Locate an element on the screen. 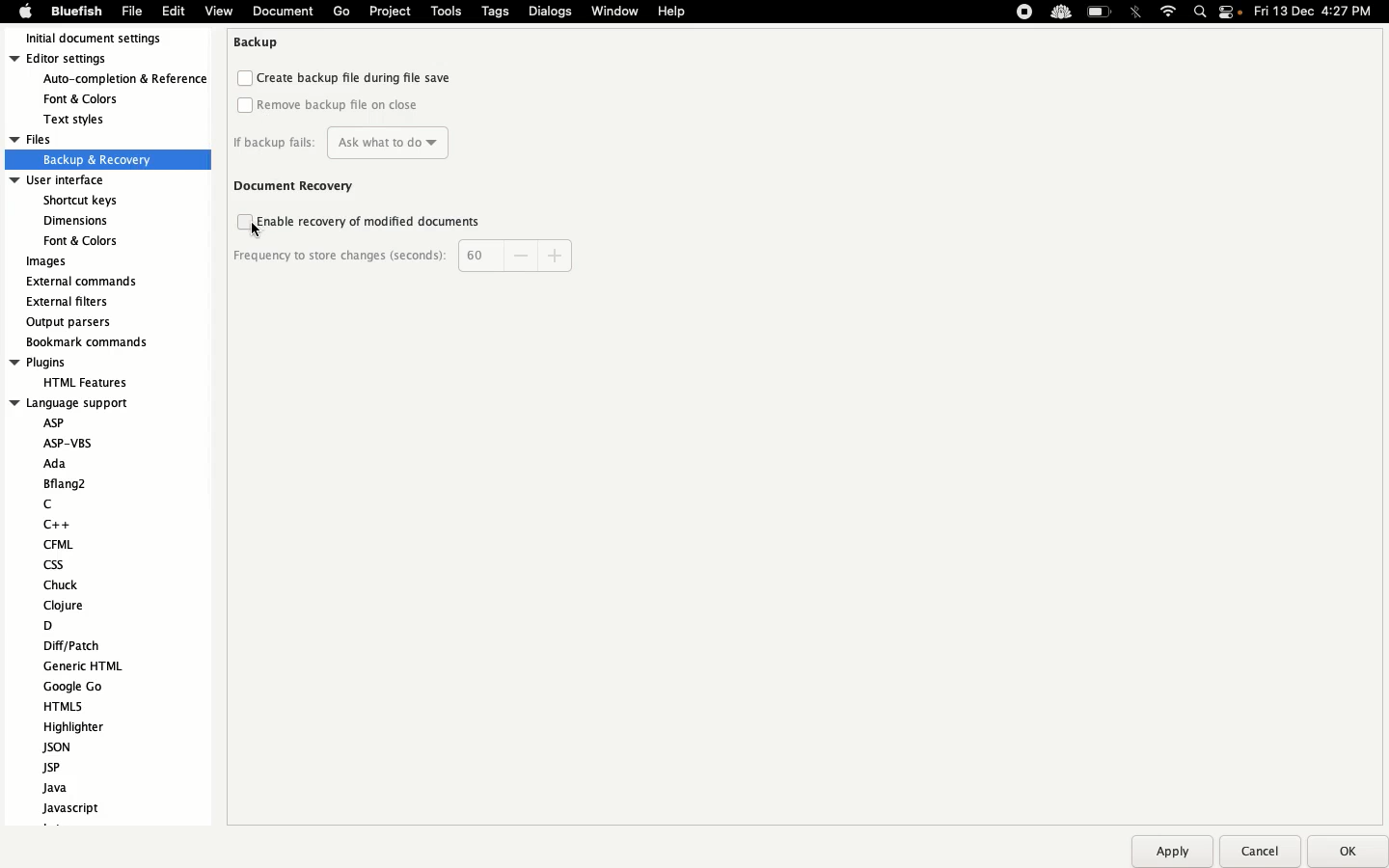 The width and height of the screenshot is (1389, 868). Output parsers is located at coordinates (70, 324).